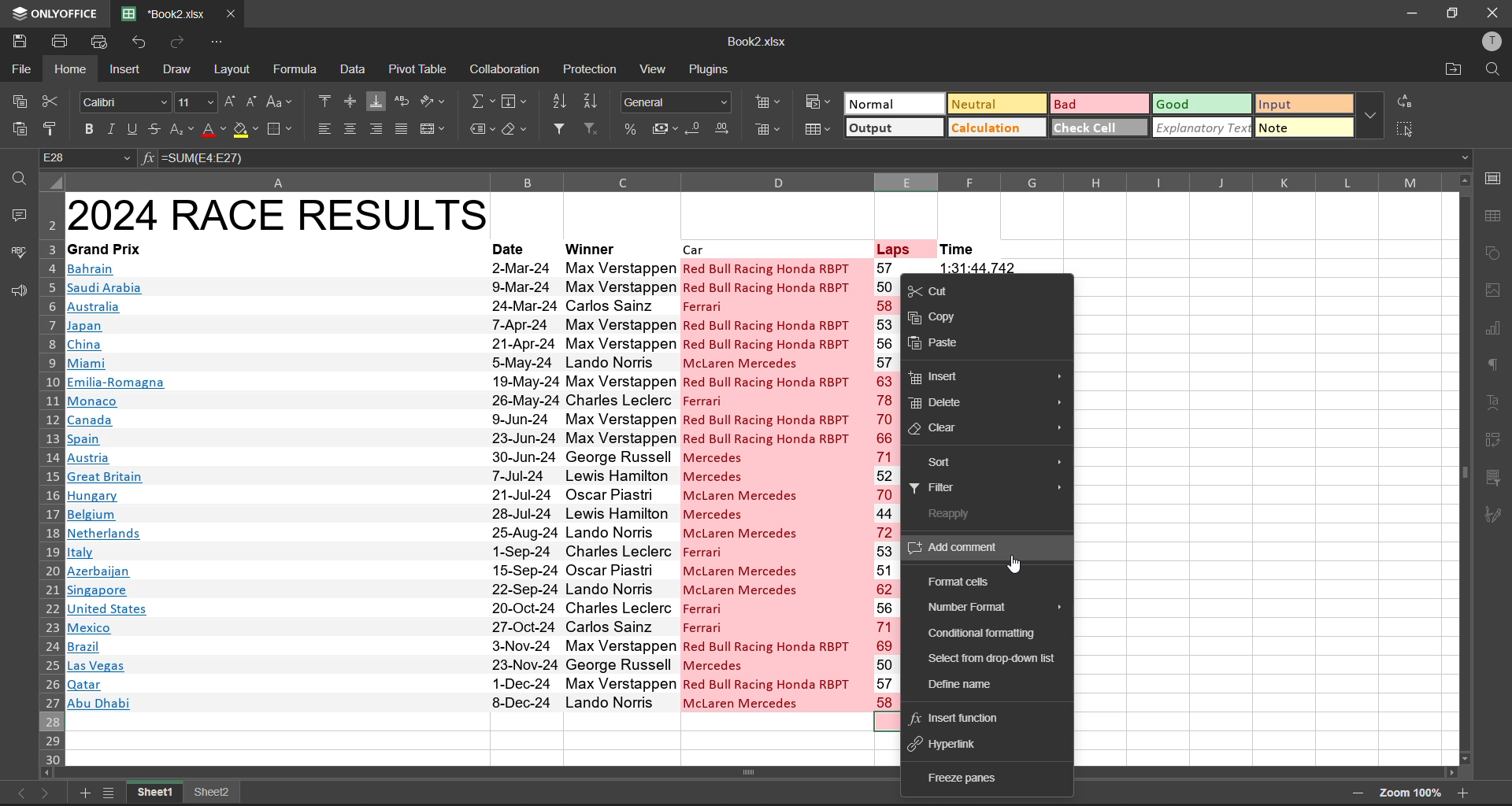 The image size is (1512, 806). Describe the element at coordinates (98, 41) in the screenshot. I see `quick print` at that location.